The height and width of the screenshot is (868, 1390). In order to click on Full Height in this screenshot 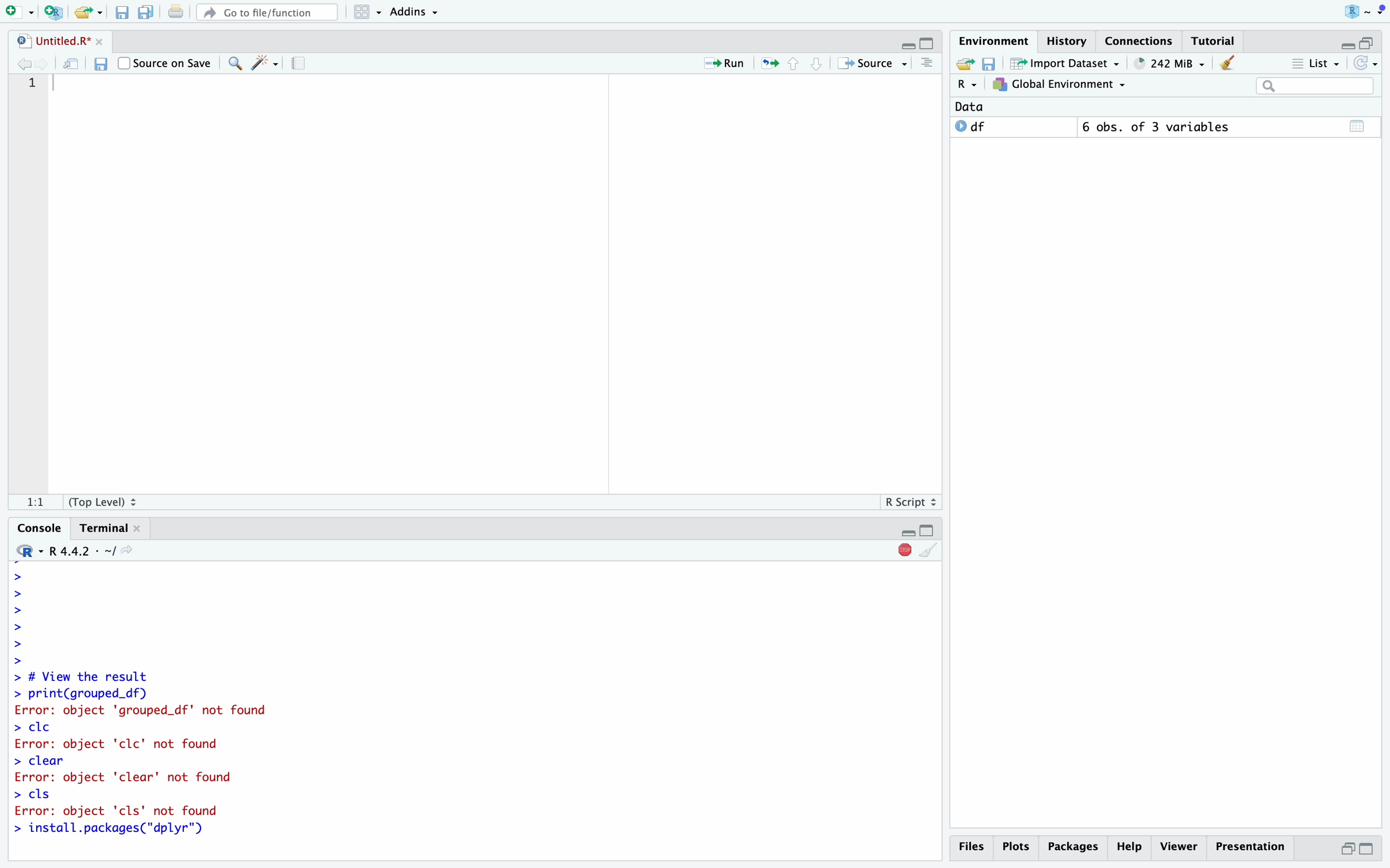, I will do `click(929, 41)`.